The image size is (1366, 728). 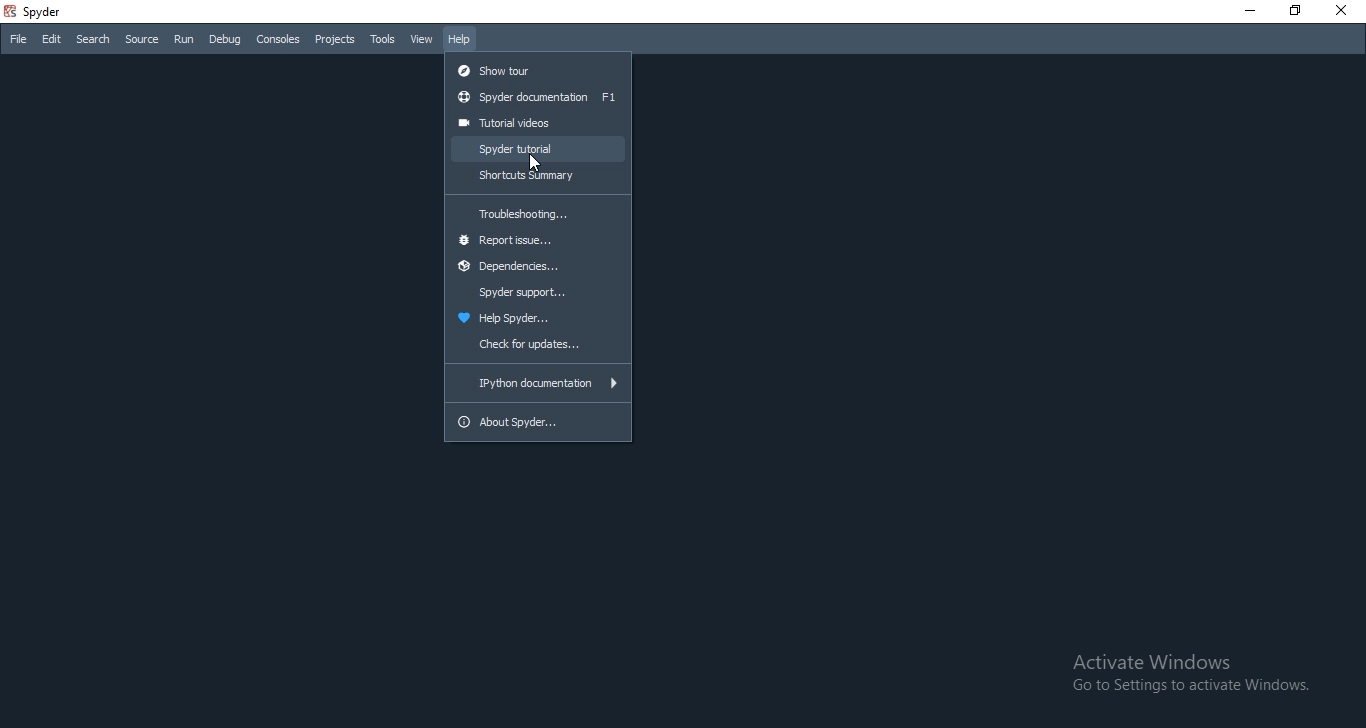 What do you see at coordinates (41, 12) in the screenshot?
I see `spyder` at bounding box center [41, 12].